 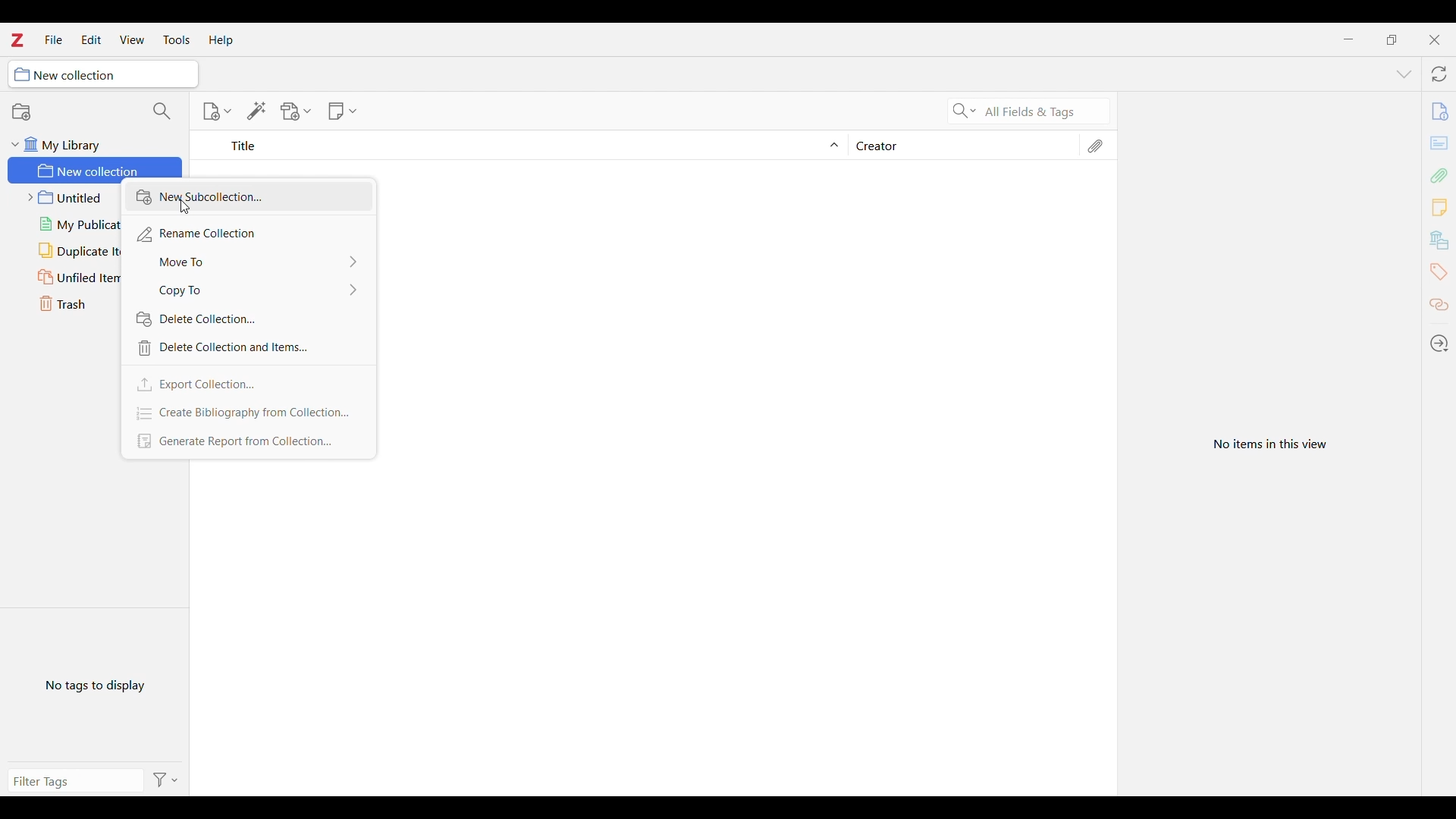 I want to click on Add file options, so click(x=296, y=111).